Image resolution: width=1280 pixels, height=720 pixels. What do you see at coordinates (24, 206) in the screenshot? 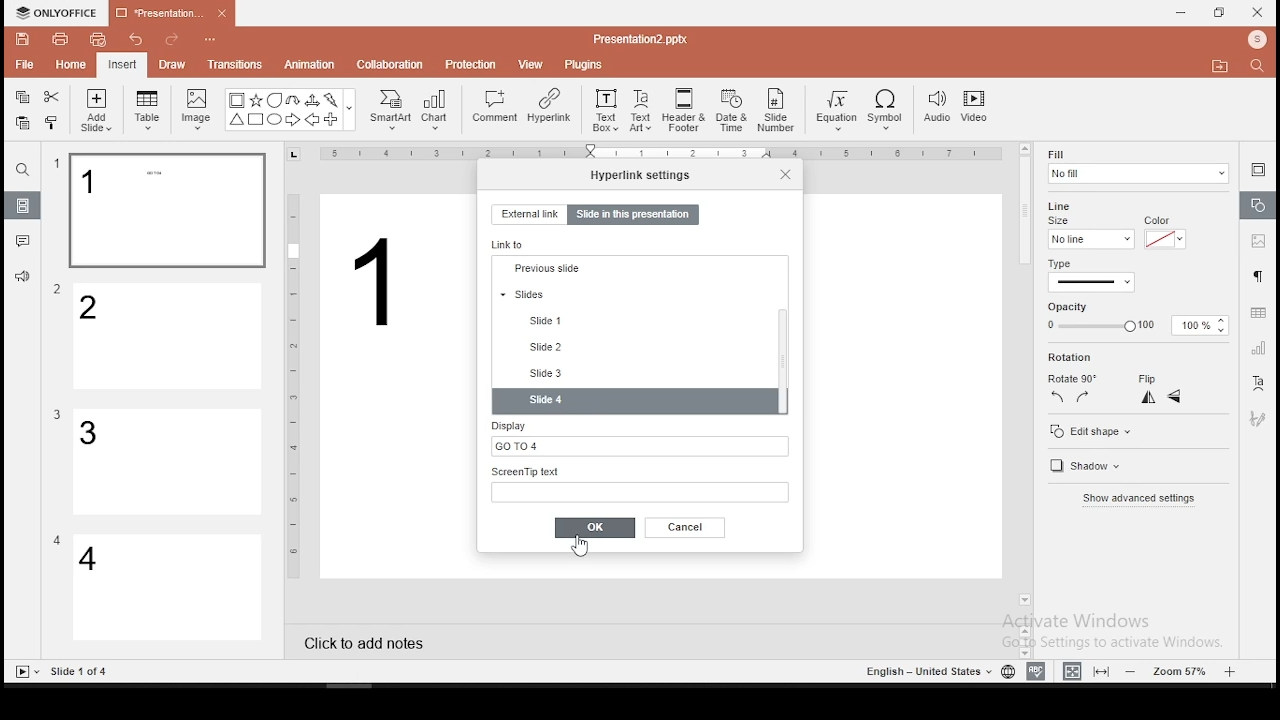
I see `slides` at bounding box center [24, 206].